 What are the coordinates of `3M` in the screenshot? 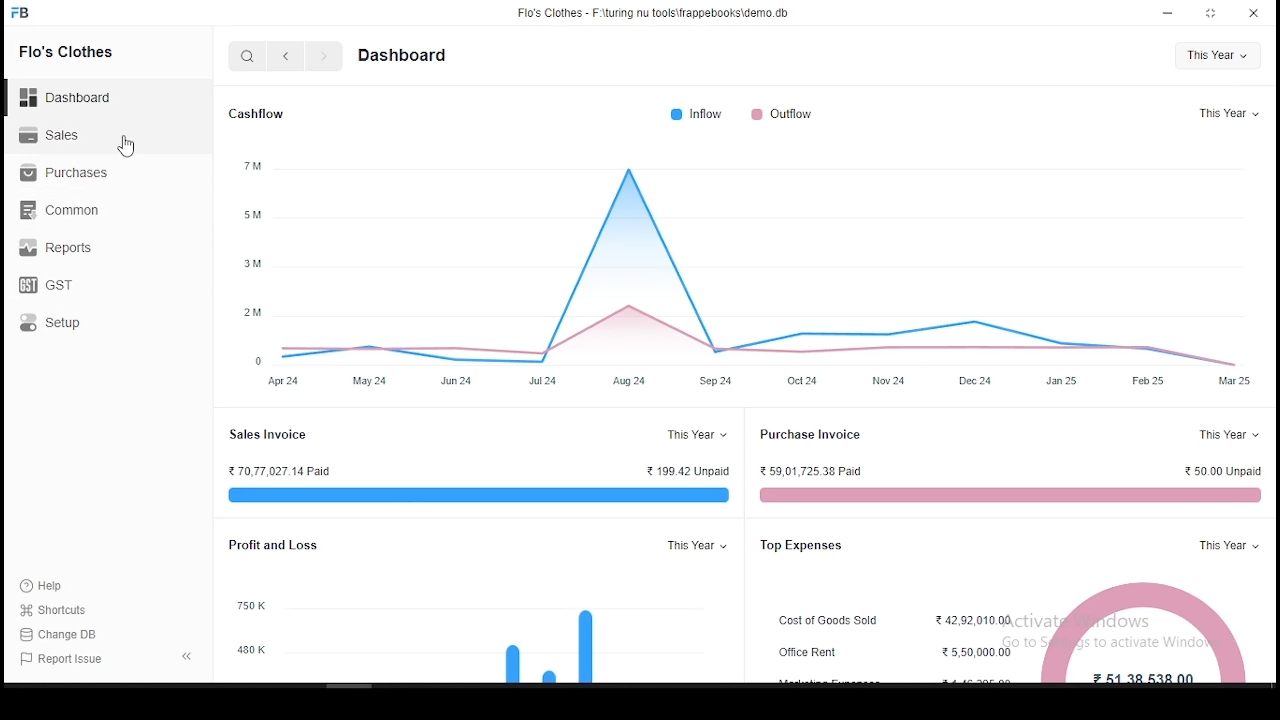 It's located at (253, 266).